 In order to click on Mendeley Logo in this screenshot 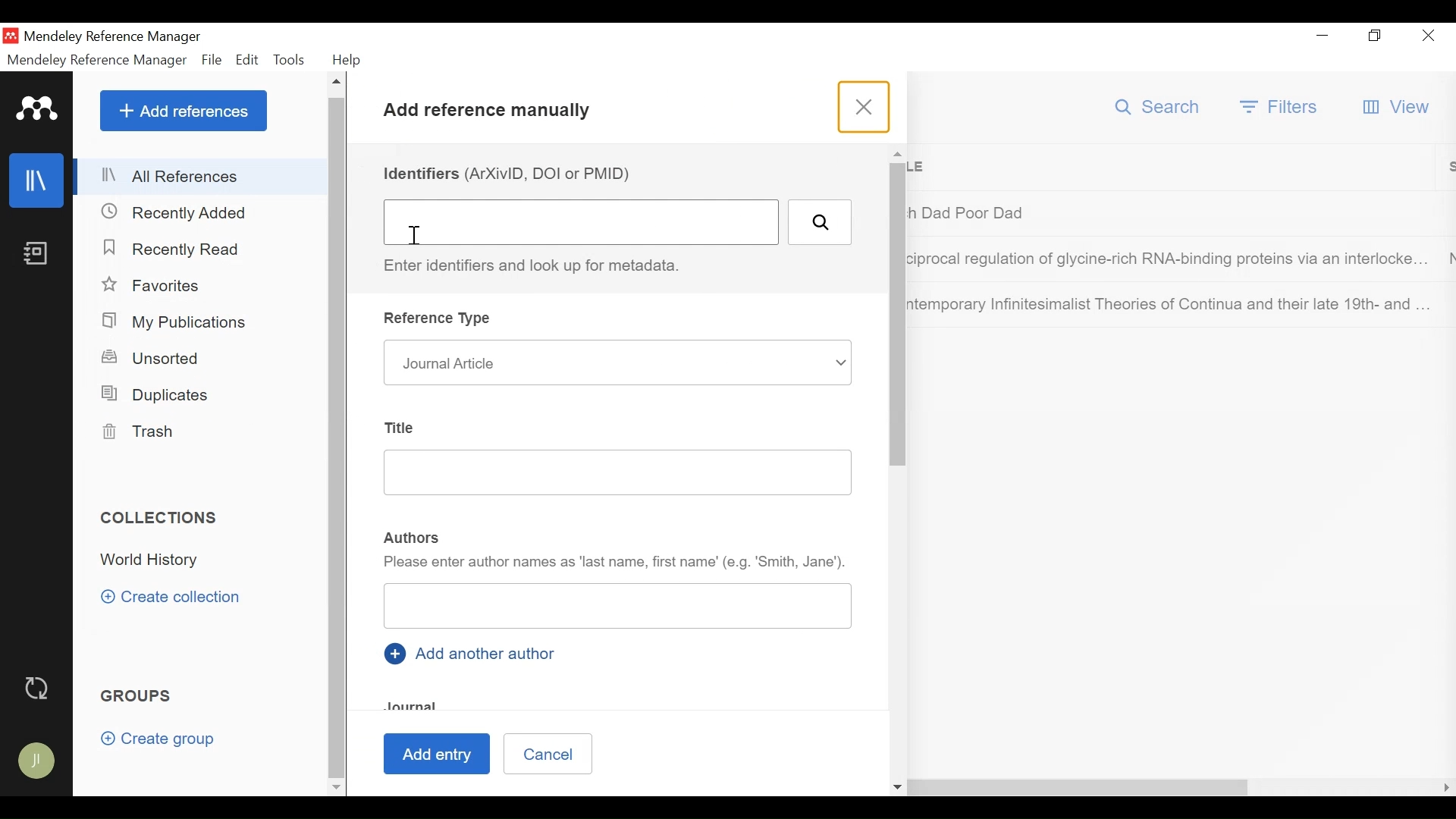, I will do `click(34, 107)`.